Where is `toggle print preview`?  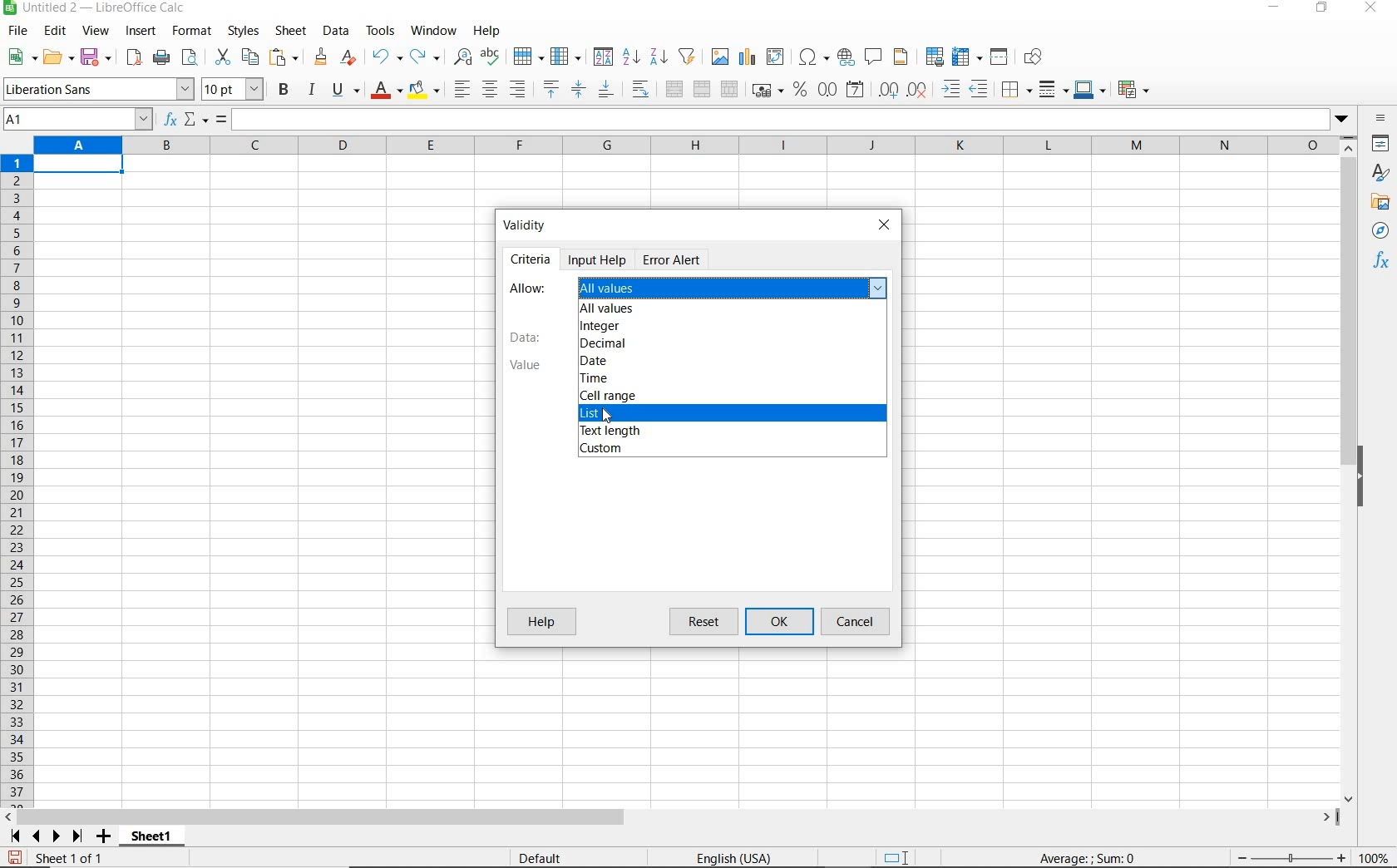 toggle print preview is located at coordinates (192, 59).